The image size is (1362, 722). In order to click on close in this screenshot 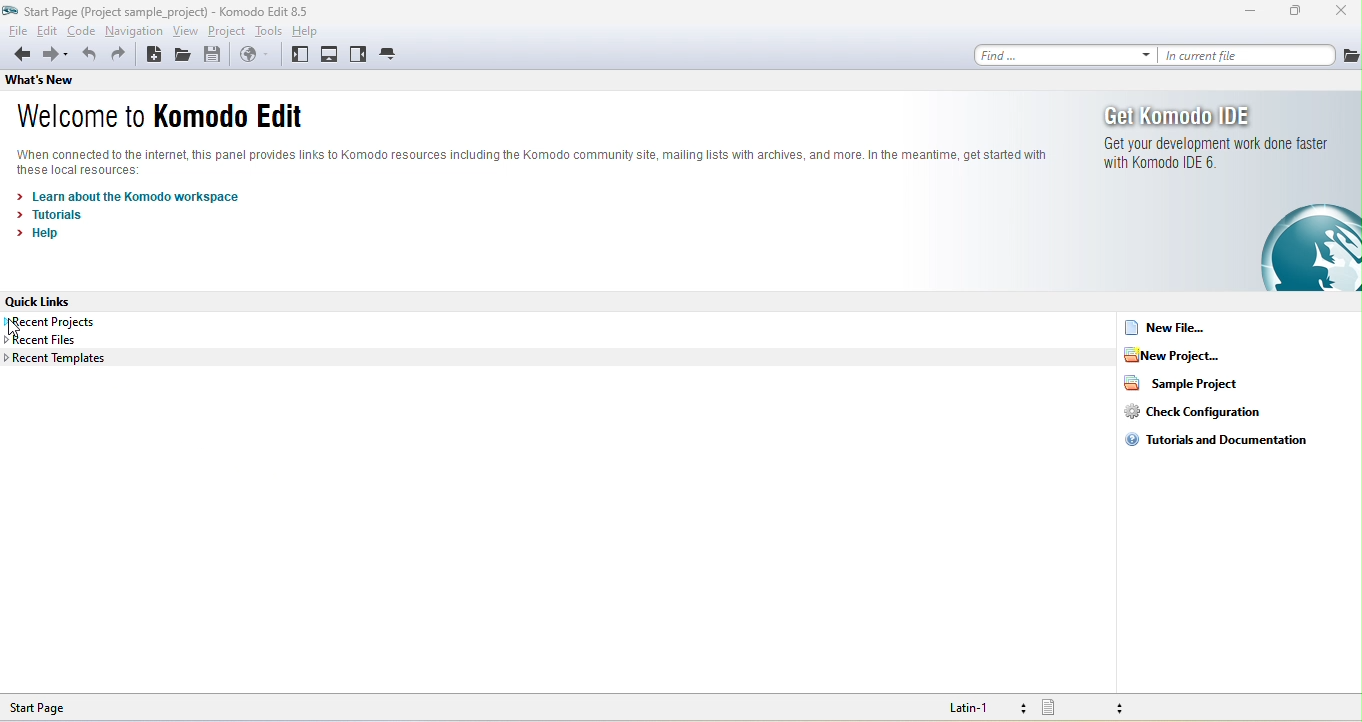, I will do `click(1338, 13)`.